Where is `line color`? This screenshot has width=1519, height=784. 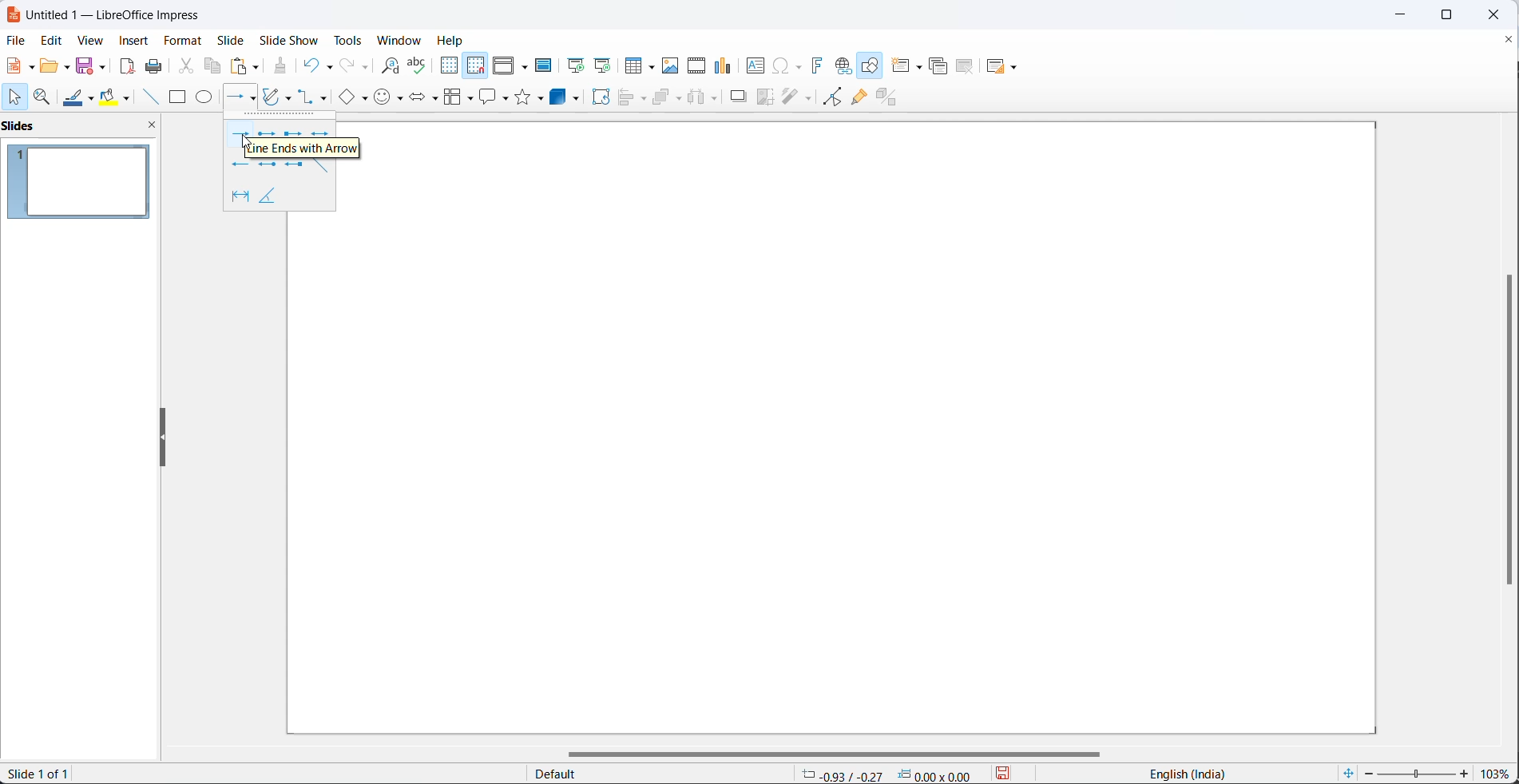 line color is located at coordinates (79, 98).